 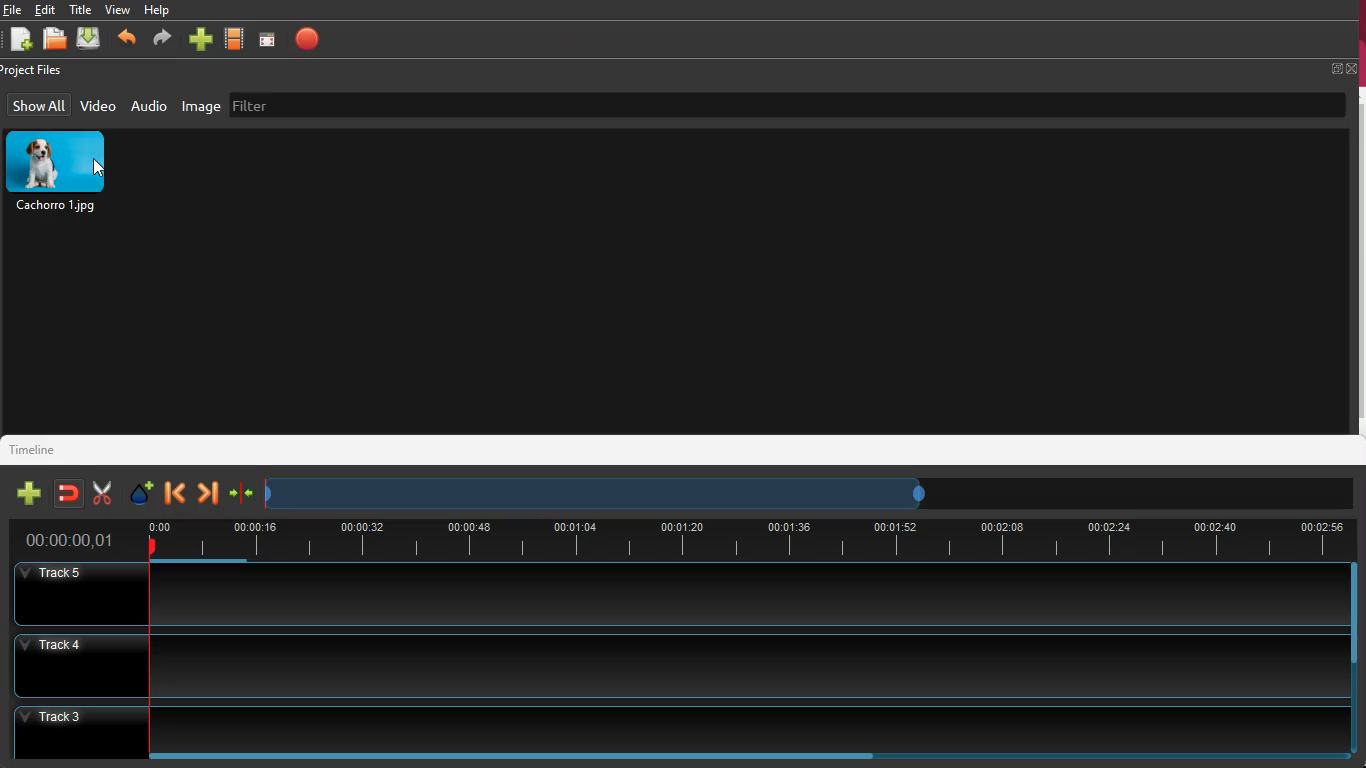 What do you see at coordinates (81, 8) in the screenshot?
I see `title` at bounding box center [81, 8].